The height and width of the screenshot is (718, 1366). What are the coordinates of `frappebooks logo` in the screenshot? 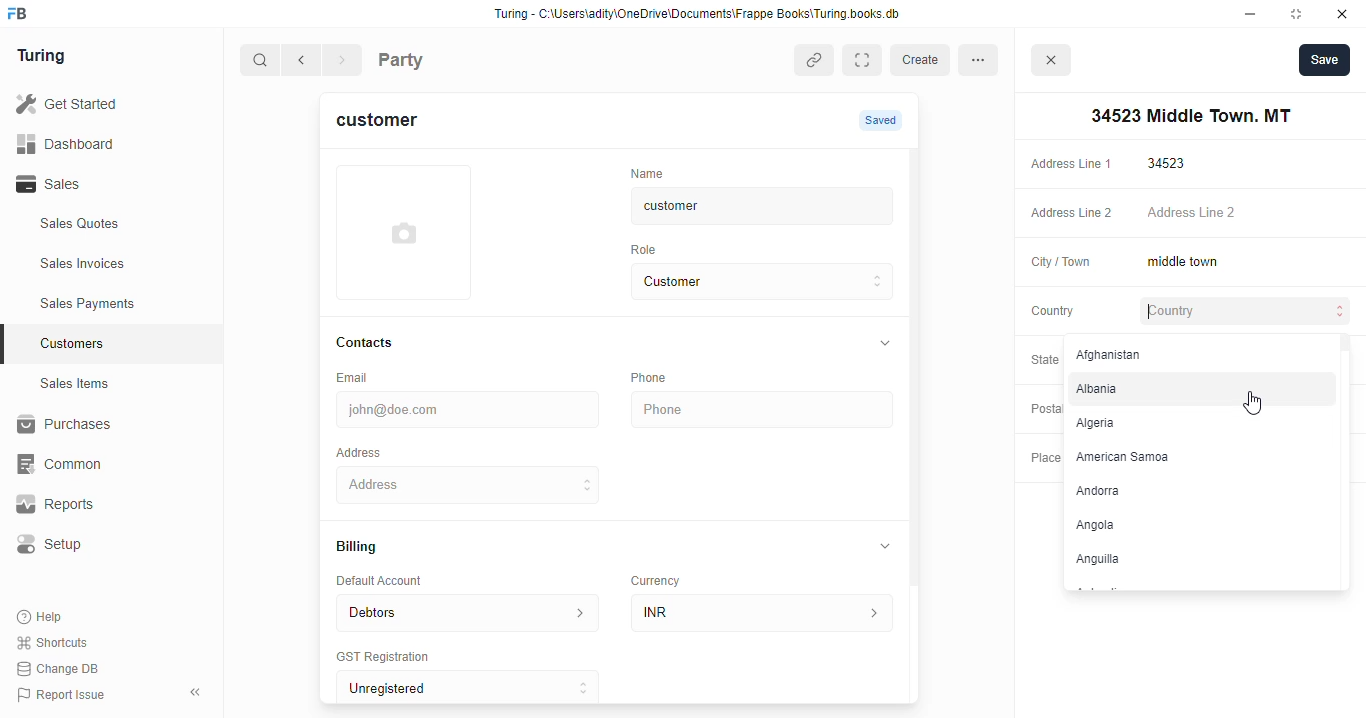 It's located at (23, 15).